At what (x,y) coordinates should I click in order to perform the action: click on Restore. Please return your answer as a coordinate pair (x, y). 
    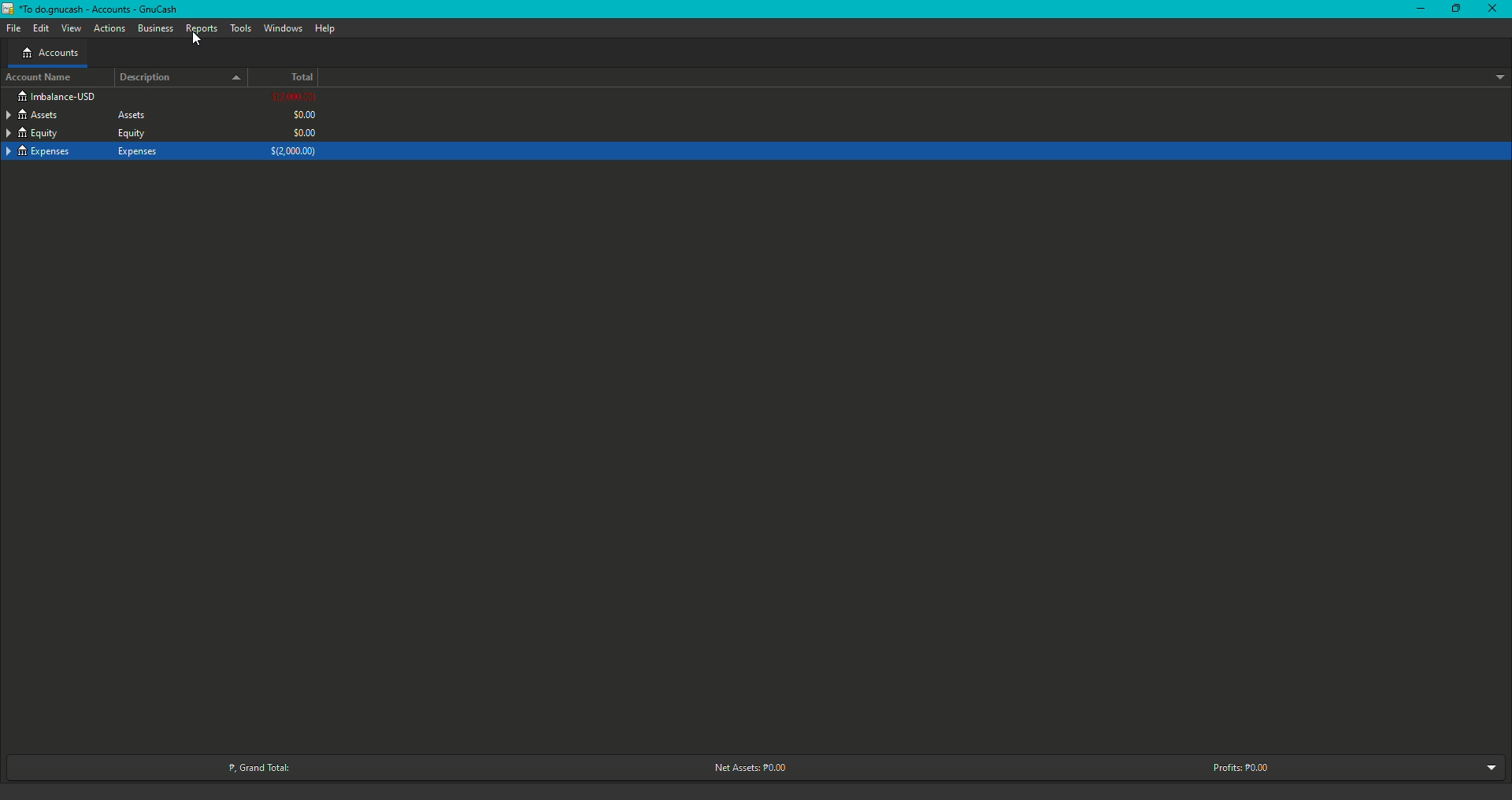
    Looking at the image, I should click on (1452, 10).